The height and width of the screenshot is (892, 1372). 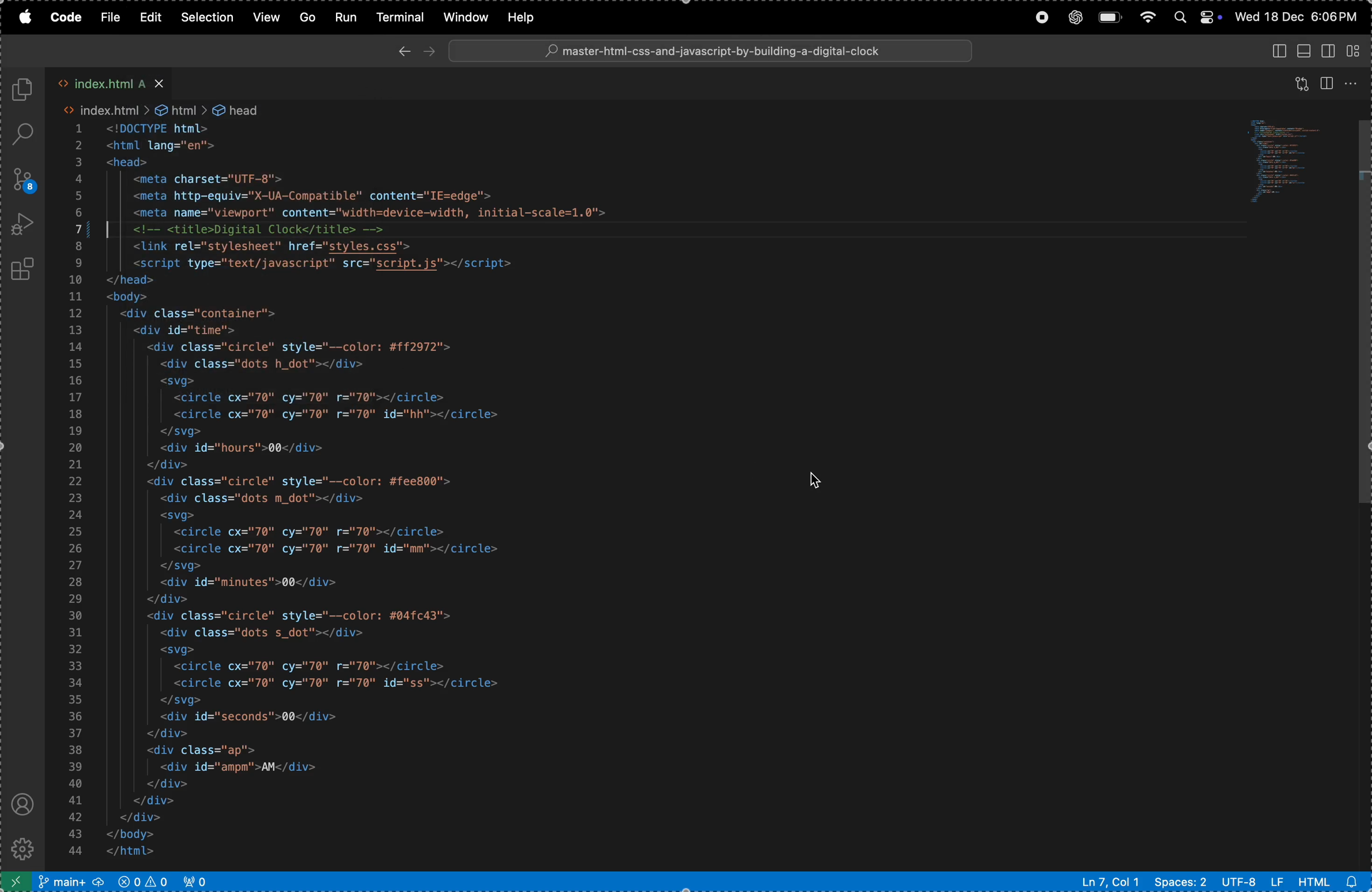 I want to click on @ index.html — master-htmi-css-and-javascript-by-building-a-digital-clock, so click(x=710, y=51).